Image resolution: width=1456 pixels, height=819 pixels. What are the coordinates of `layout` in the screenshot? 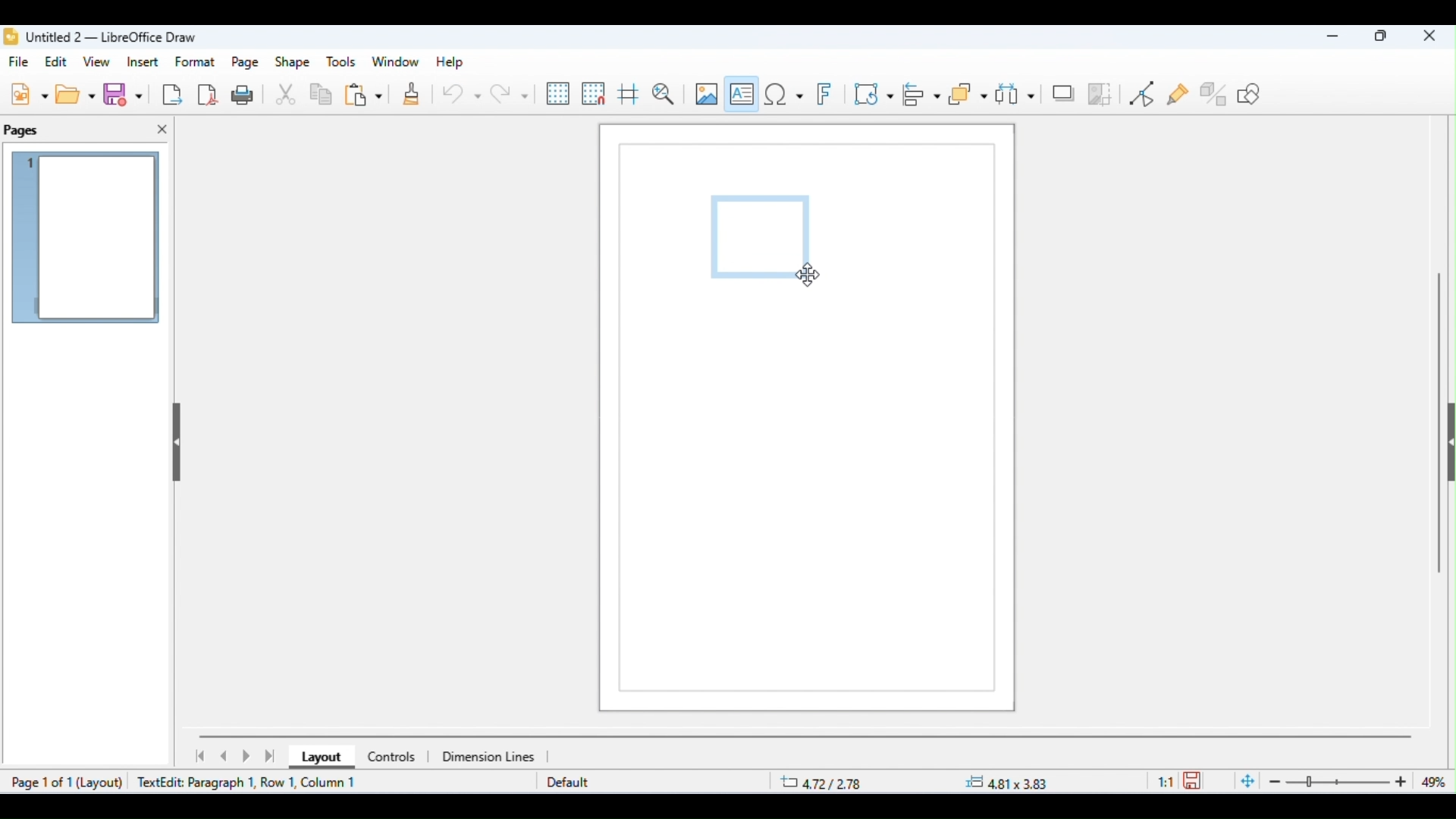 It's located at (318, 758).